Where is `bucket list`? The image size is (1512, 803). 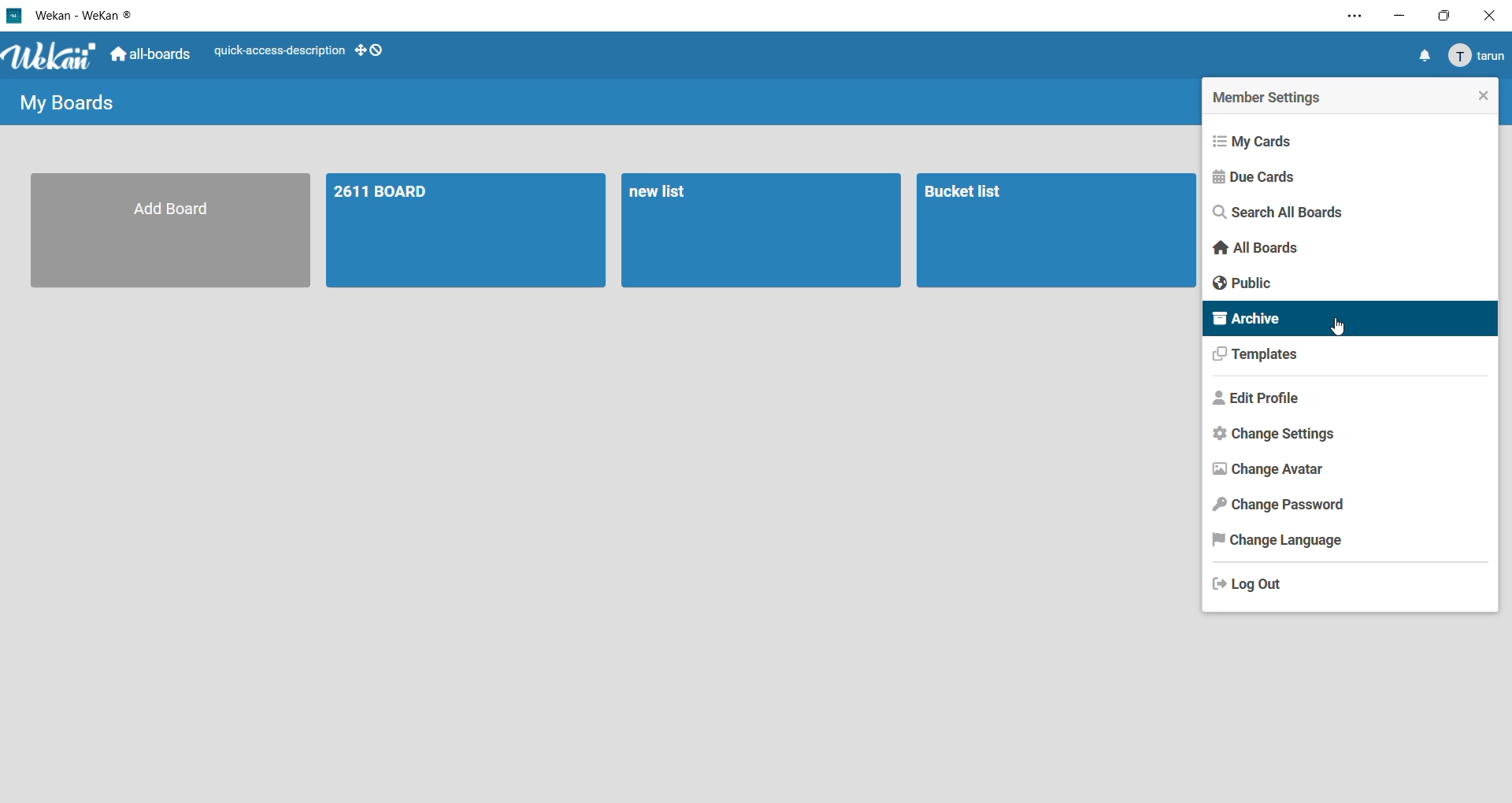
bucket list is located at coordinates (1054, 230).